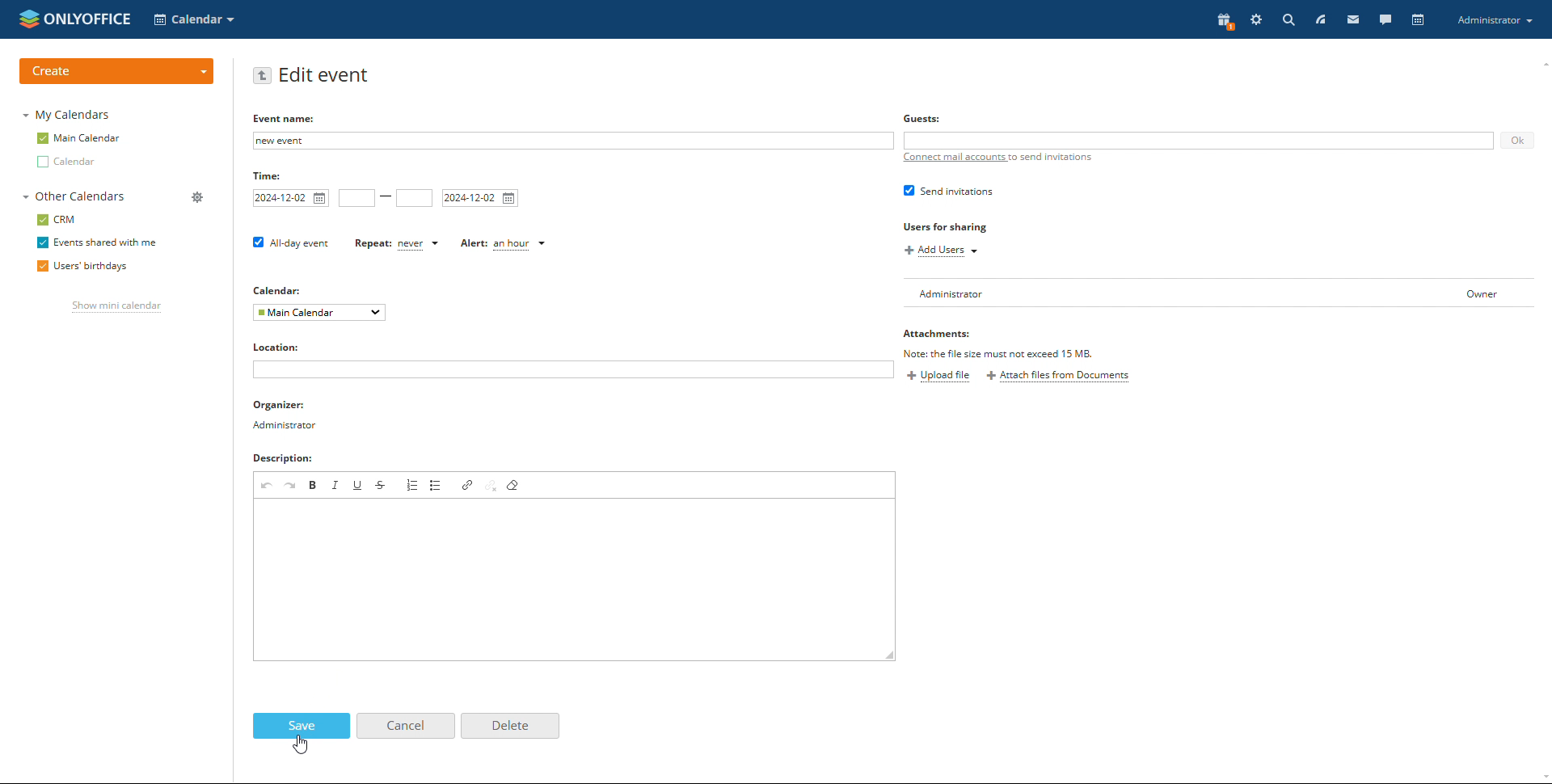  I want to click on logo, so click(74, 19).